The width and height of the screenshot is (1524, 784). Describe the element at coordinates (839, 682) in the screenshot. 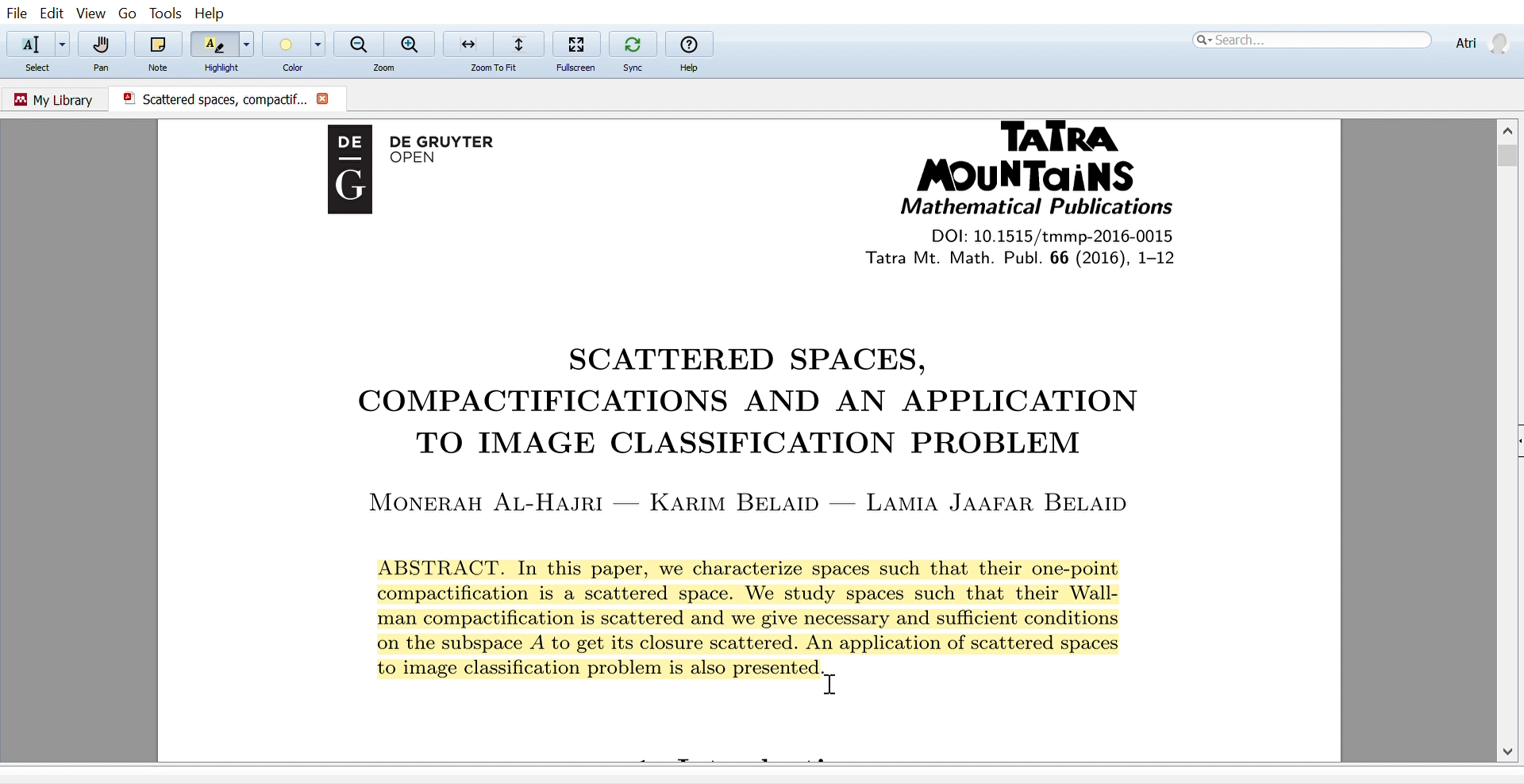

I see `Cursor` at that location.